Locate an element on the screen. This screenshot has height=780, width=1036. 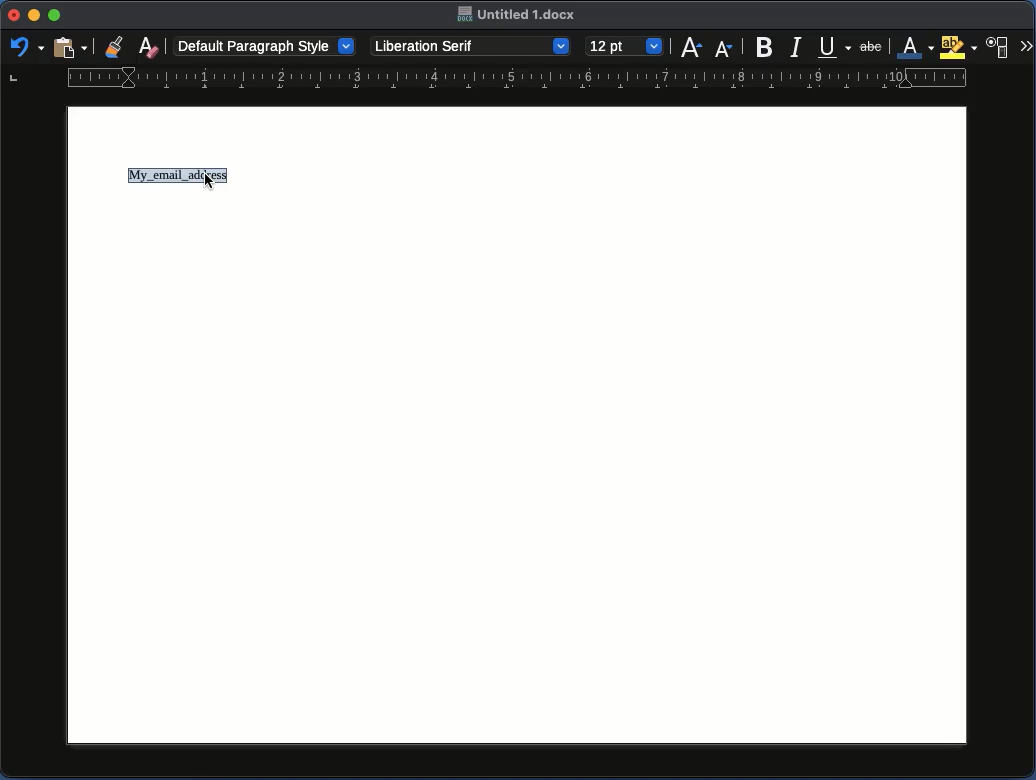
Clear formatting is located at coordinates (150, 45).